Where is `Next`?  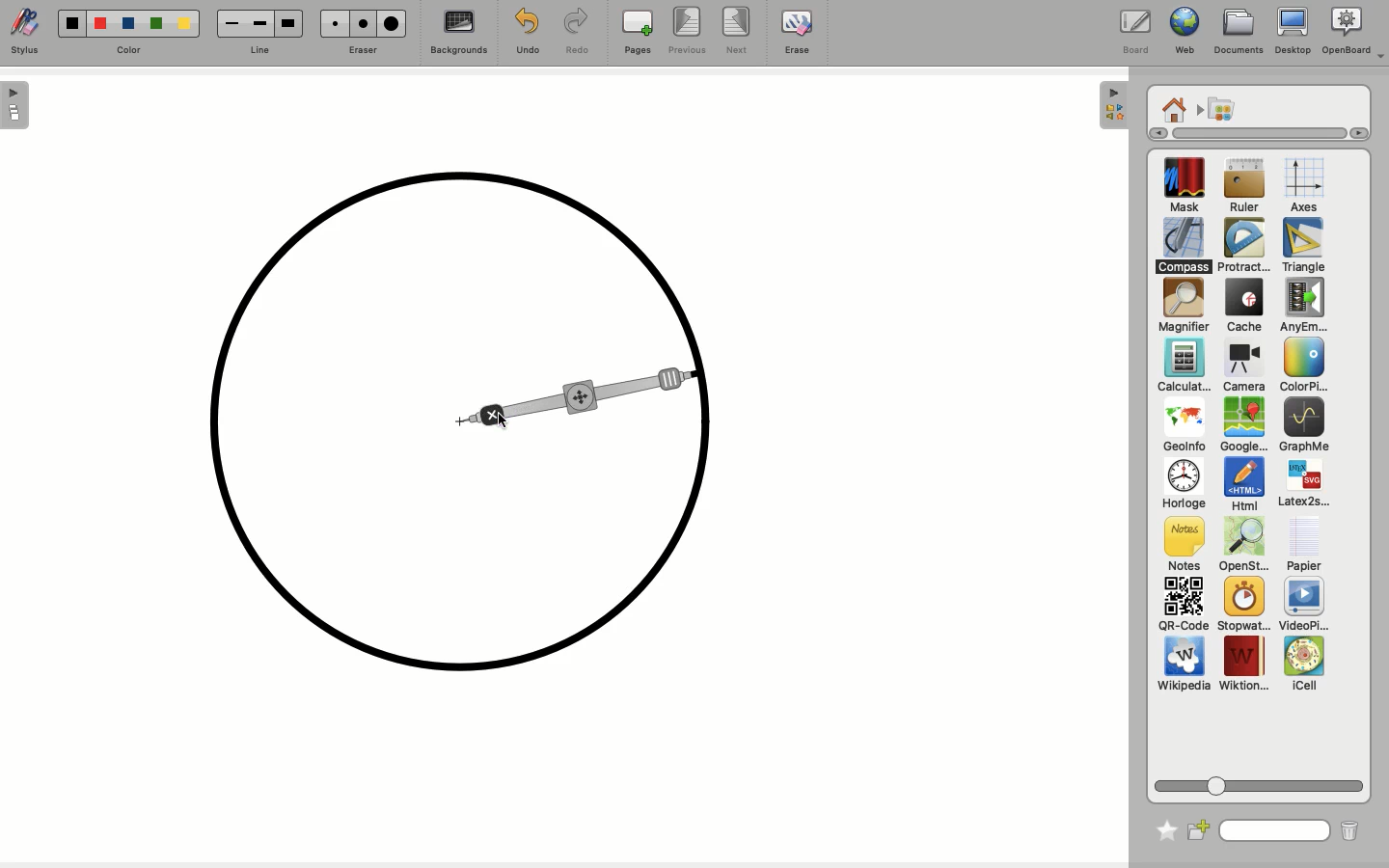 Next is located at coordinates (739, 32).